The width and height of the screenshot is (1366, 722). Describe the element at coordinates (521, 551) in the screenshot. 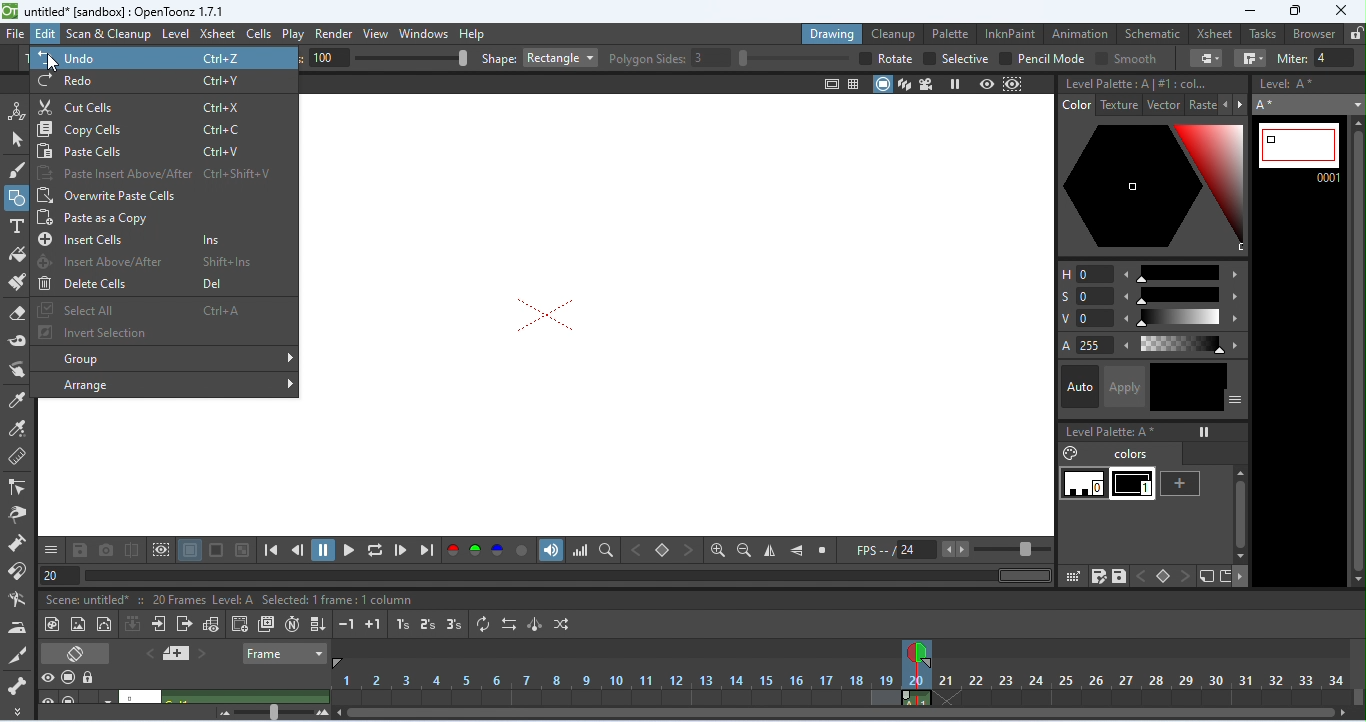

I see `alpha channel ` at that location.